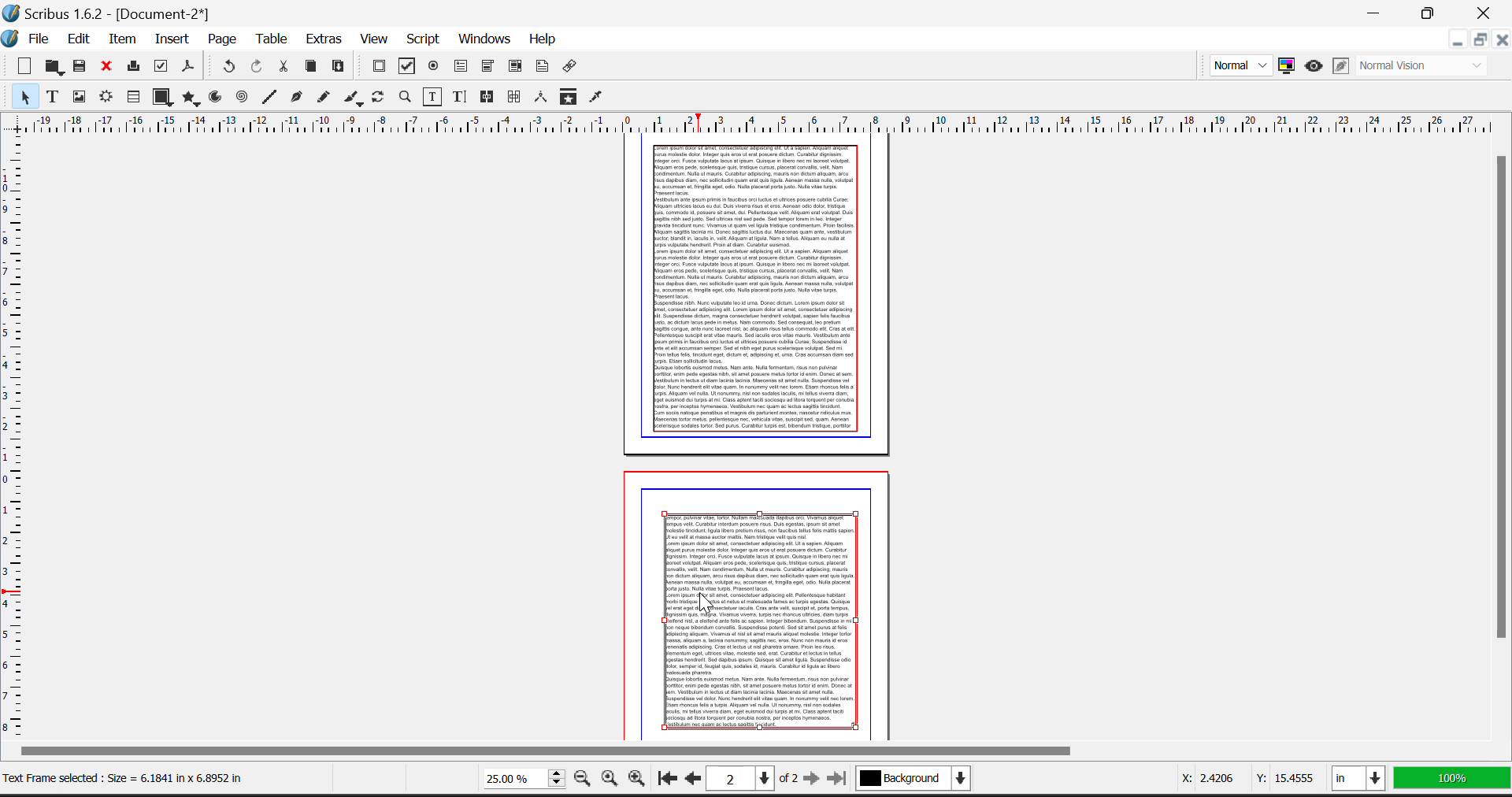  I want to click on Spiral, so click(243, 98).